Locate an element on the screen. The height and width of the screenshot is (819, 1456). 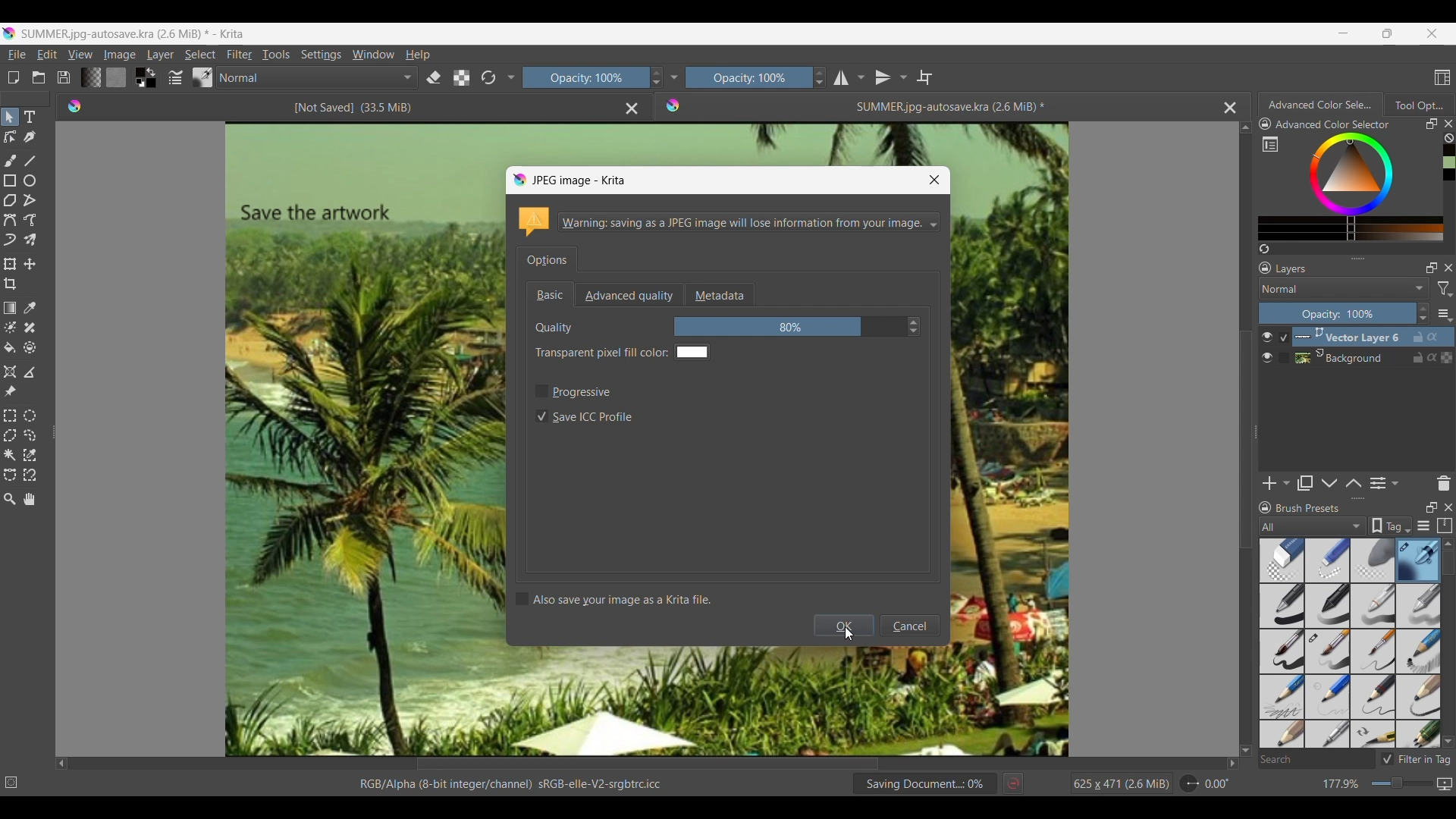
Magnetic curve selection tool is located at coordinates (30, 474).